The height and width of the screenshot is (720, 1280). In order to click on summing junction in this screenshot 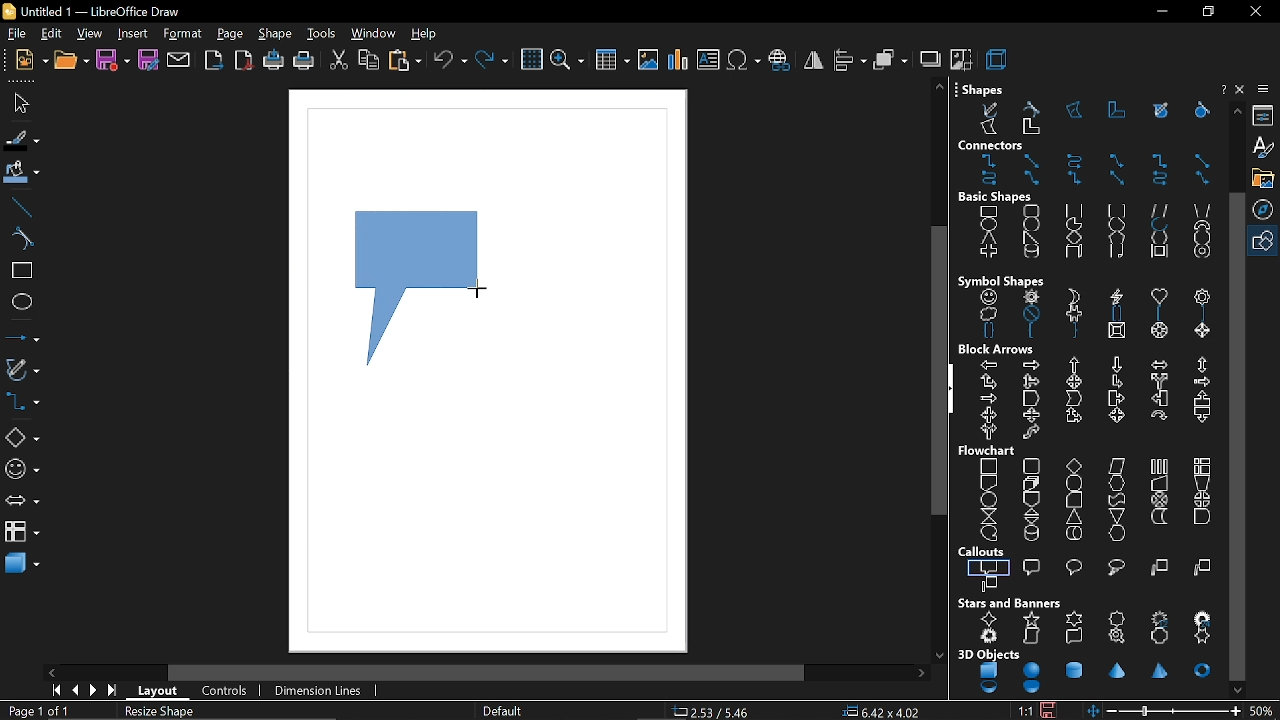, I will do `click(1160, 500)`.